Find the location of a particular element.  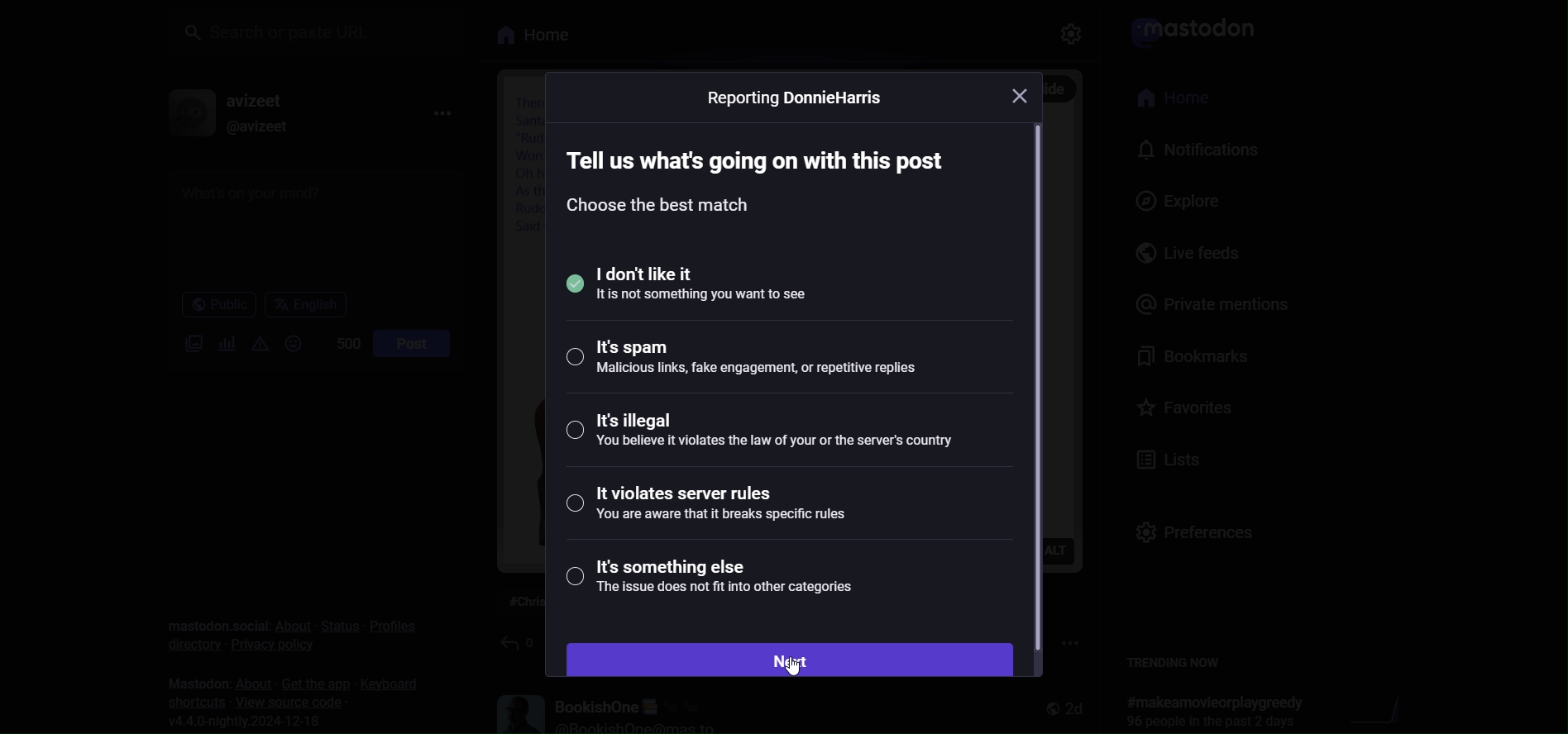

mastodon social is located at coordinates (213, 614).